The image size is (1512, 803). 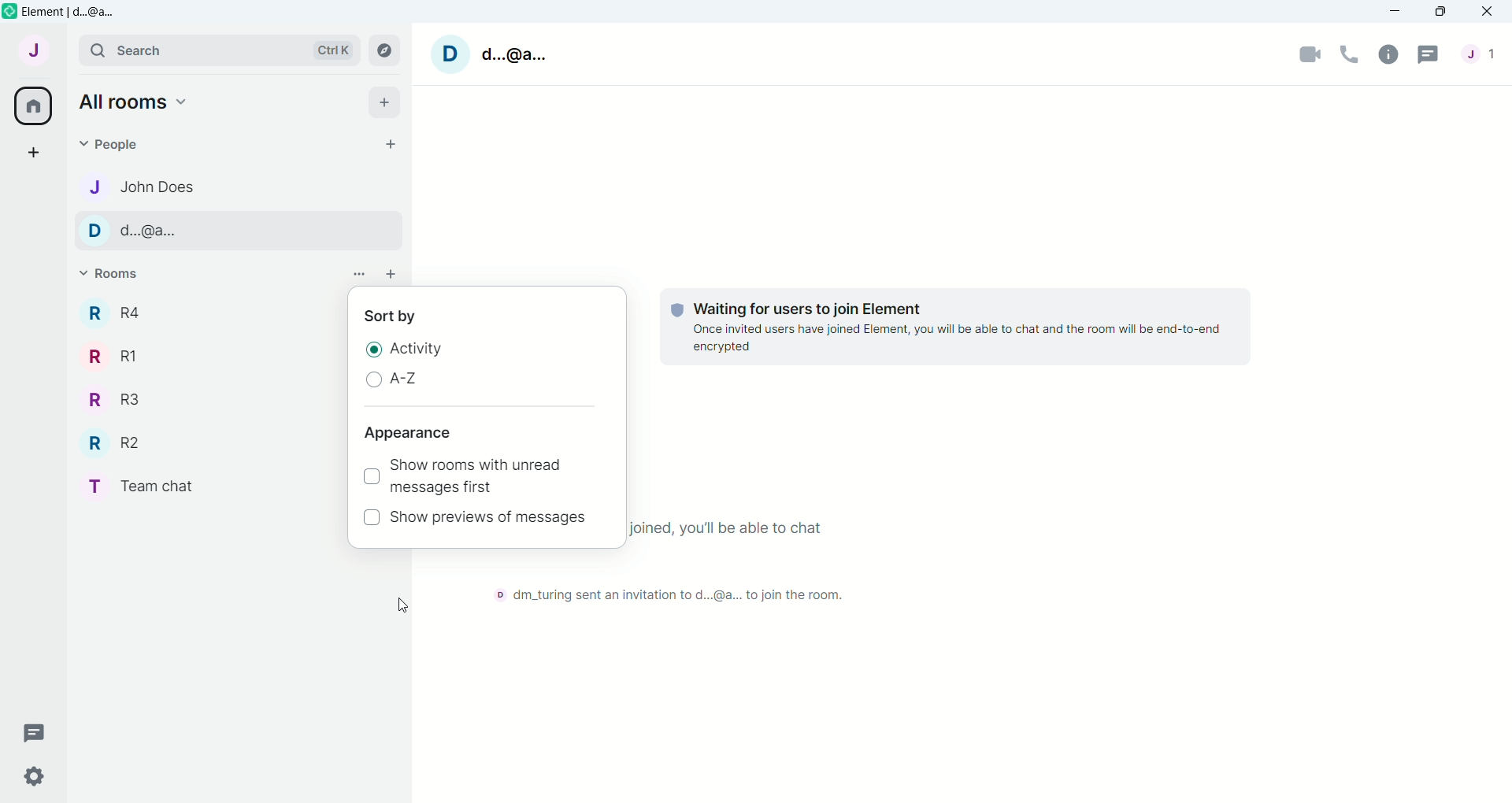 I want to click on All Rooms, so click(x=34, y=106).